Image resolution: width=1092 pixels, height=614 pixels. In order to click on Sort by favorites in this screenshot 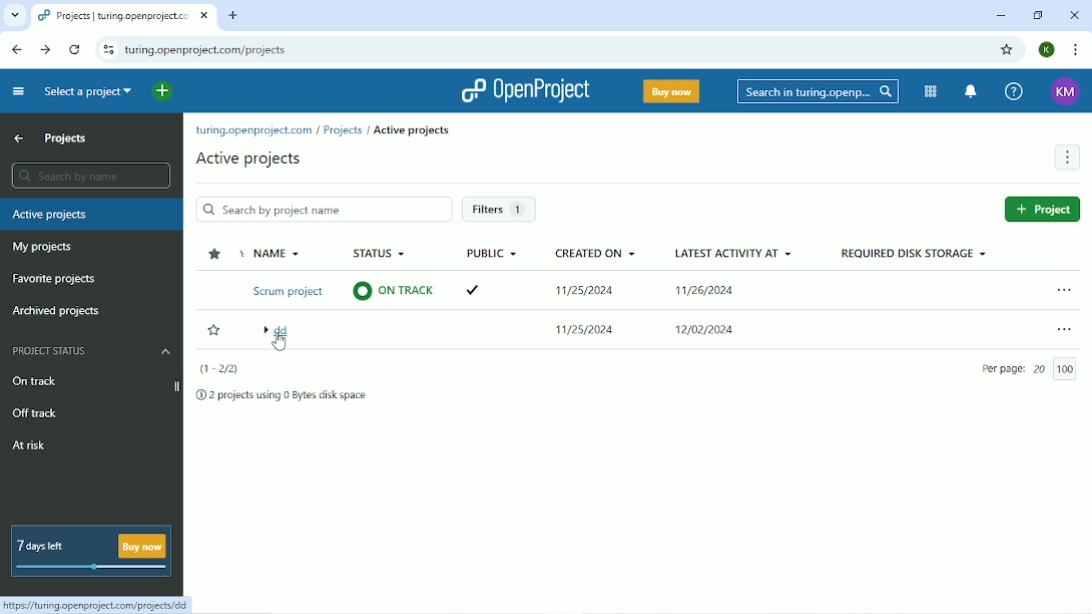, I will do `click(213, 254)`.